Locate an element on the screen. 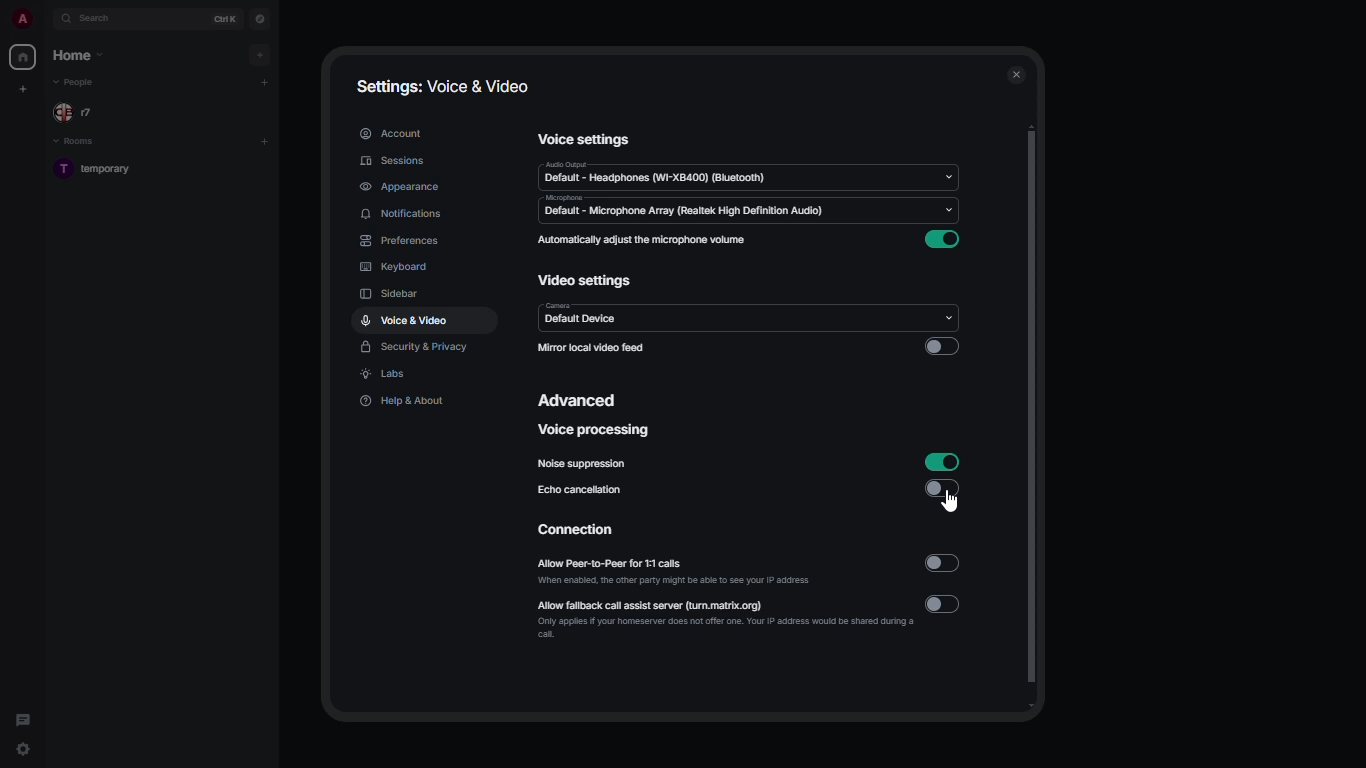 The width and height of the screenshot is (1366, 768). voice processing is located at coordinates (594, 431).